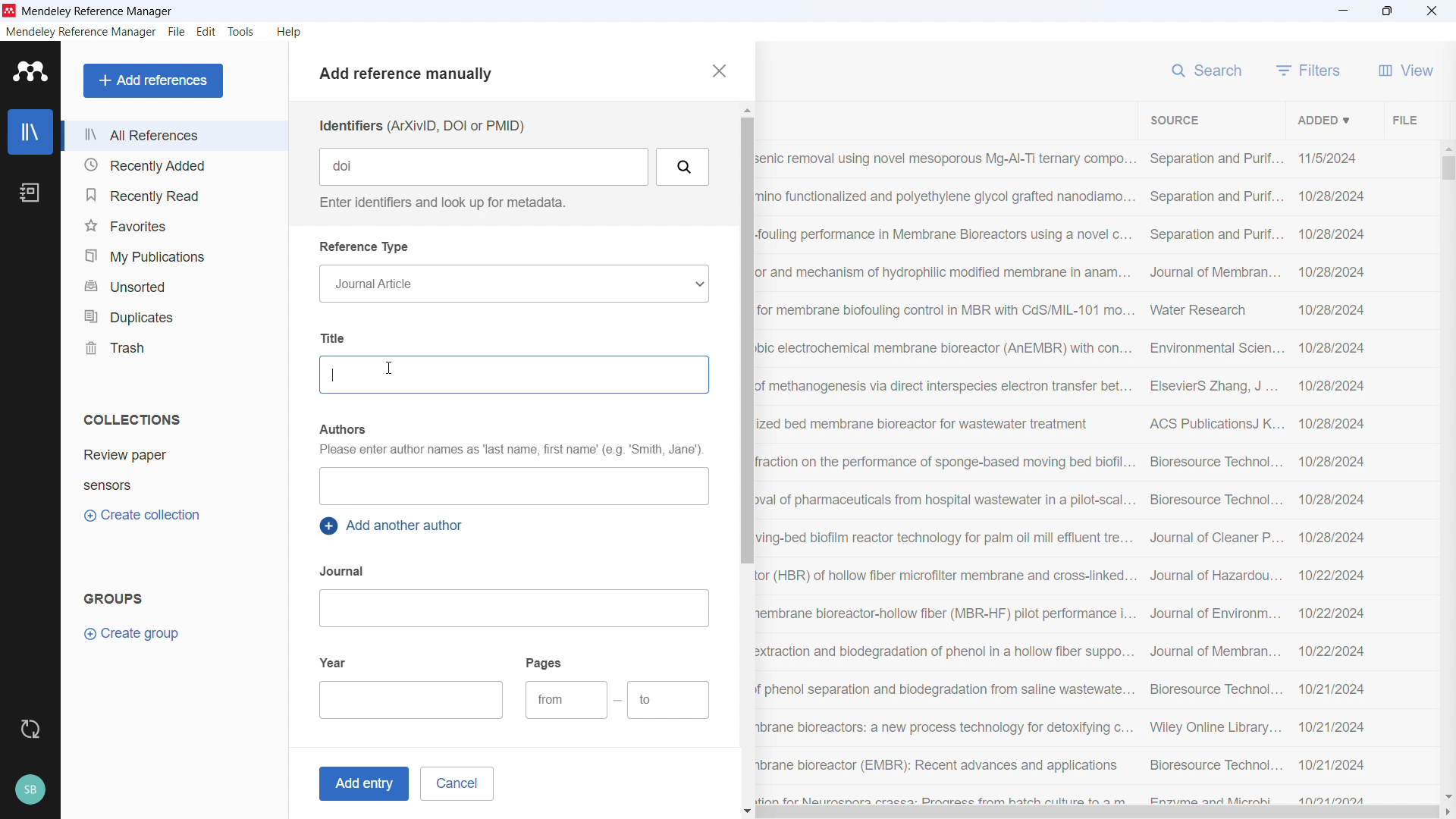 The height and width of the screenshot is (819, 1456). I want to click on Notebook , so click(30, 193).